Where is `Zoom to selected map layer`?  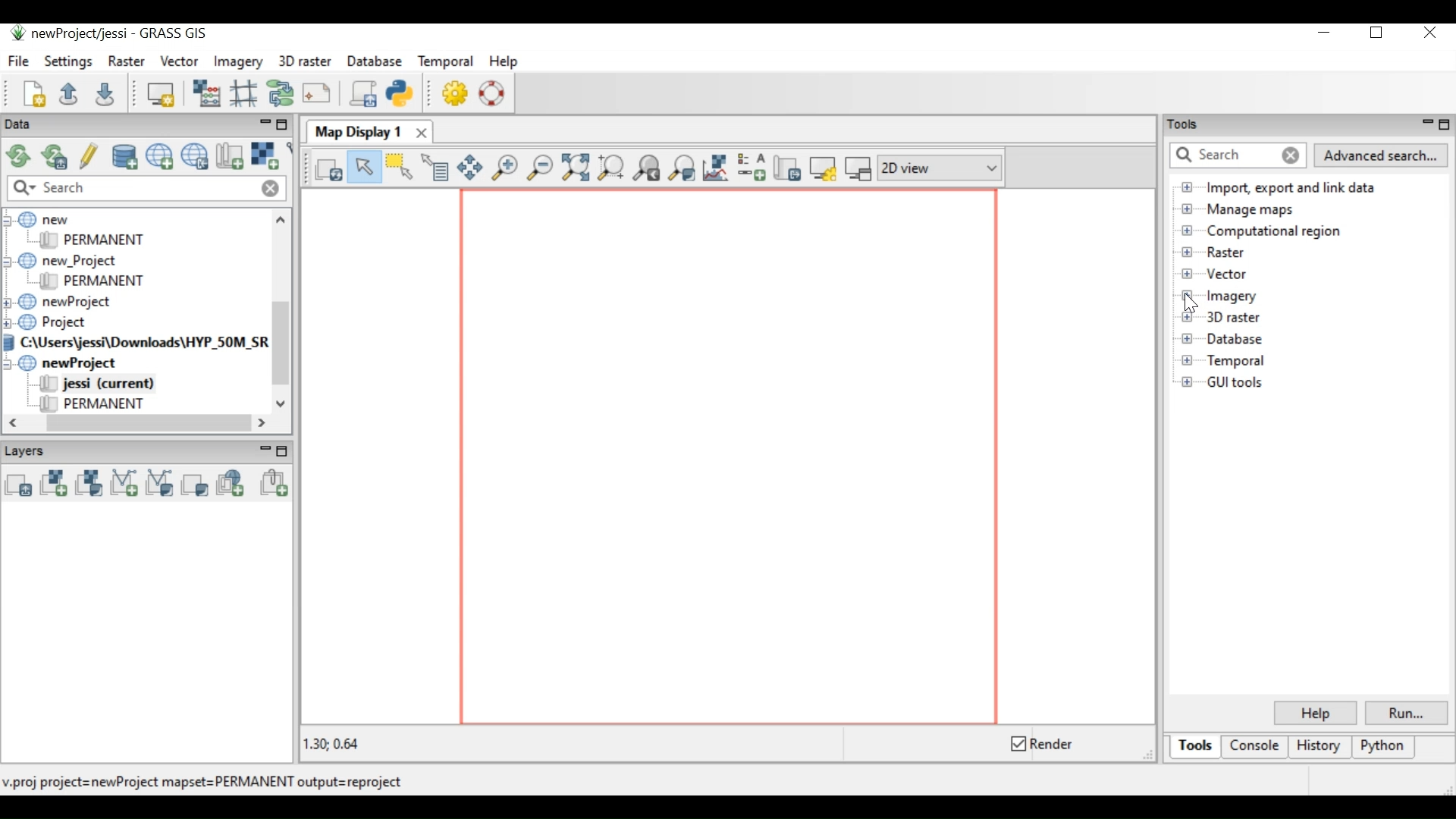 Zoom to selected map layer is located at coordinates (576, 168).